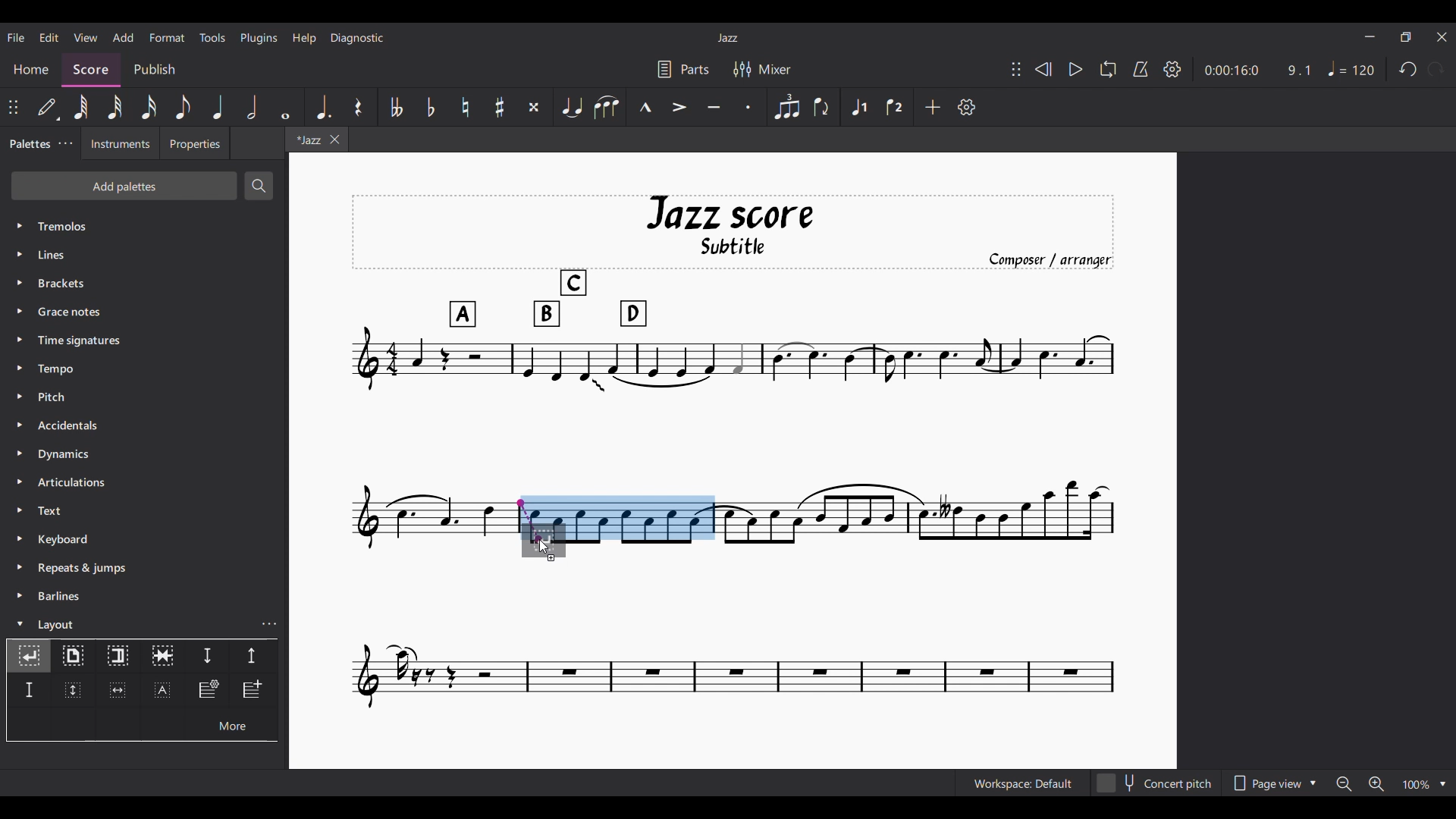 This screenshot has height=819, width=1456. I want to click on Rest, so click(359, 107).